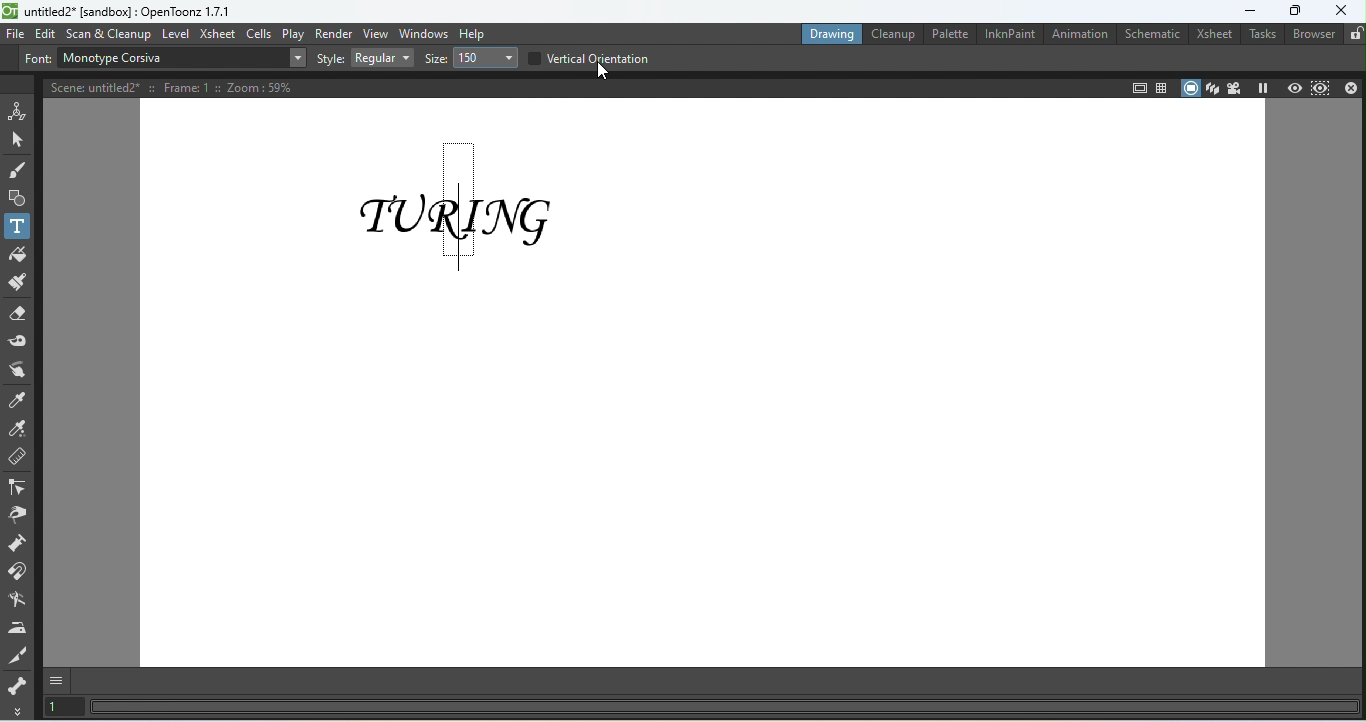 This screenshot has width=1366, height=722. What do you see at coordinates (1236, 88) in the screenshot?
I see `Camera view` at bounding box center [1236, 88].